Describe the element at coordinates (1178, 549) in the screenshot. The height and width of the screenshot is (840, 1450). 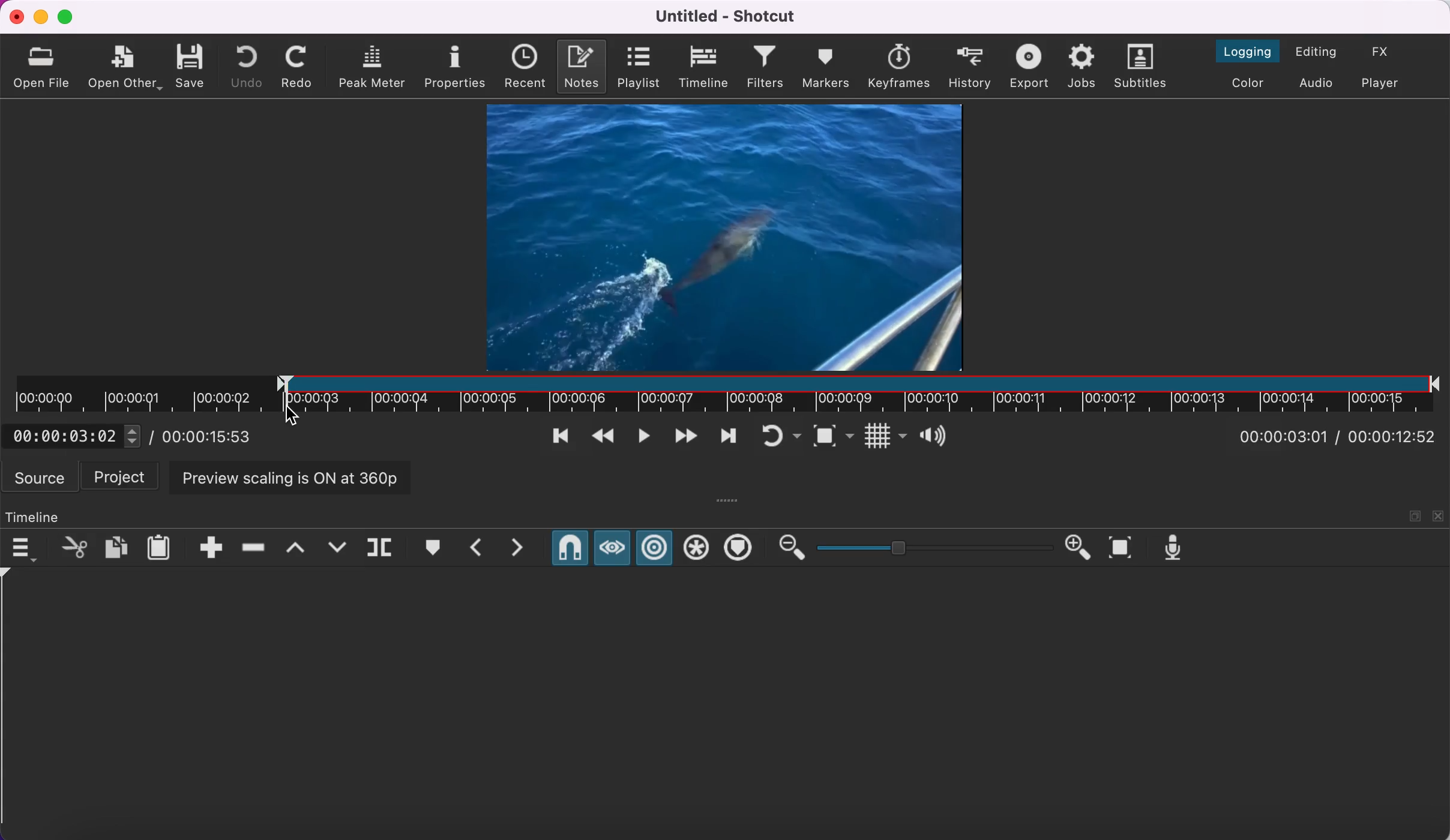
I see `record audio` at that location.